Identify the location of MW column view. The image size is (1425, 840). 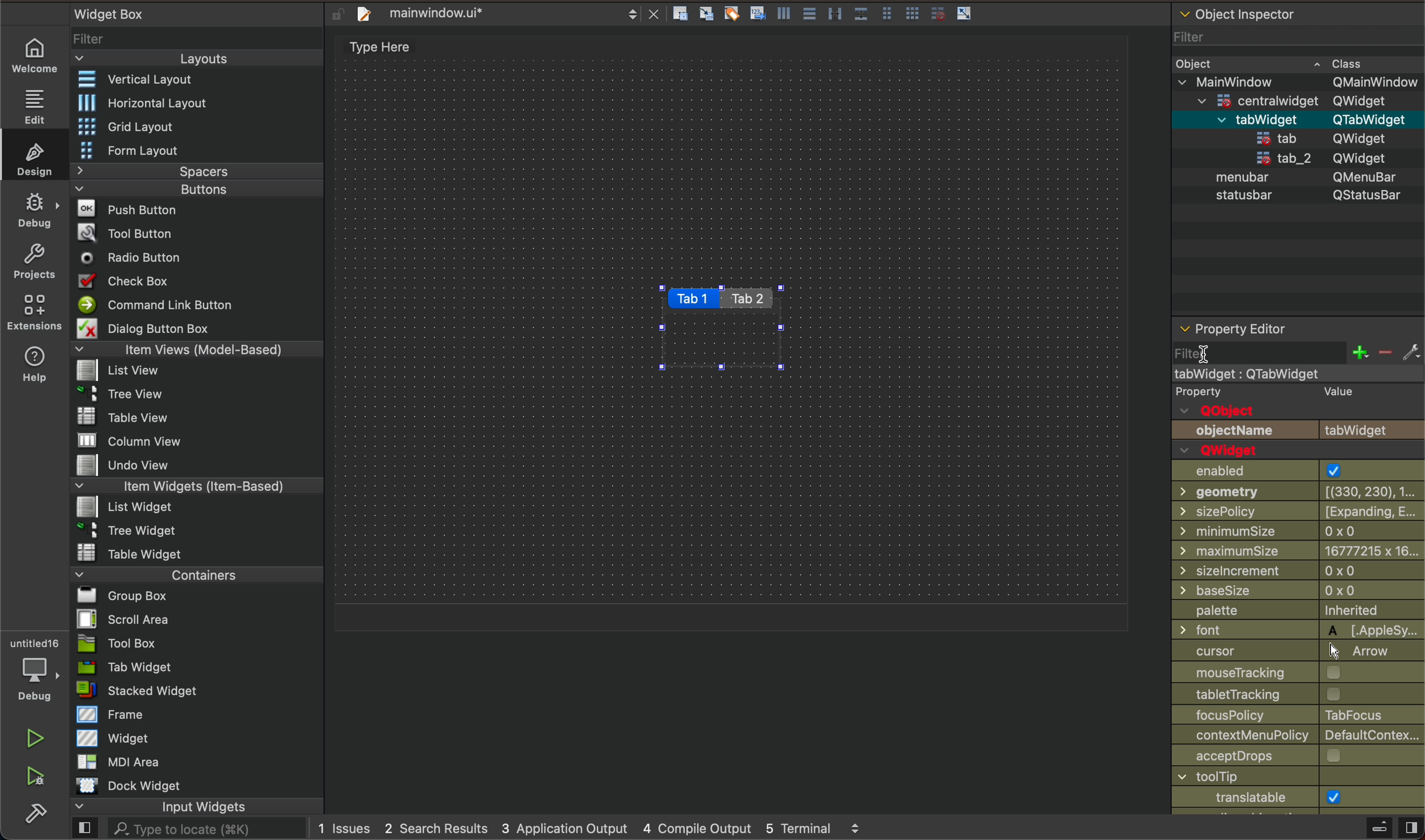
(117, 440).